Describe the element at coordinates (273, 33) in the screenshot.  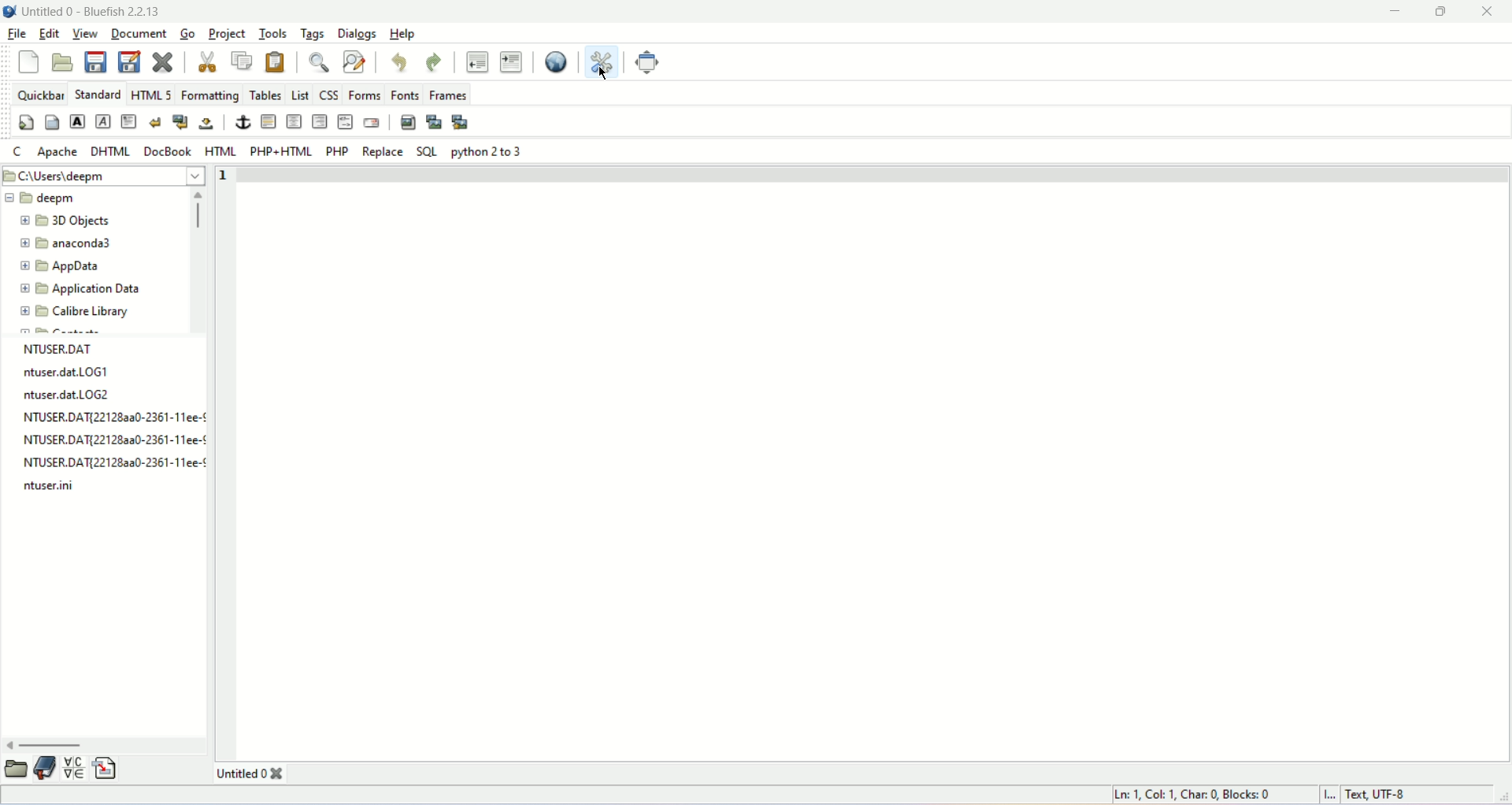
I see `tools` at that location.